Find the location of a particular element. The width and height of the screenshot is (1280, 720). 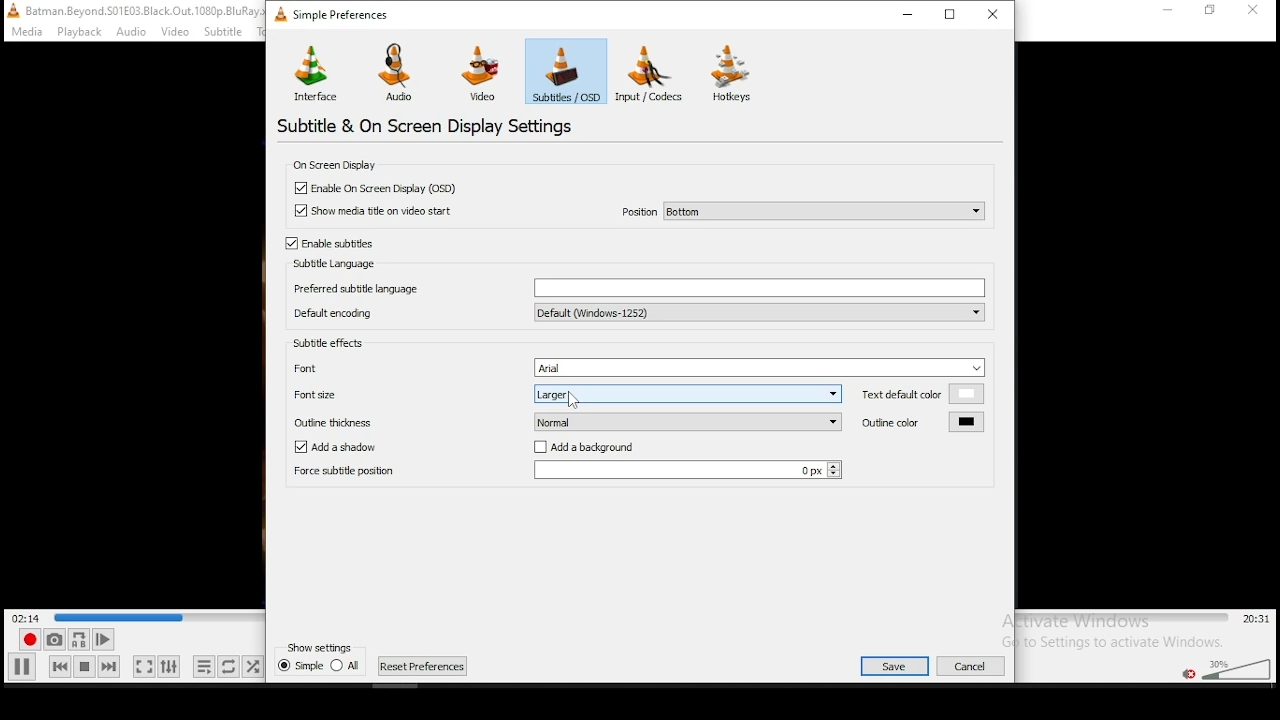

checkbox: enable subtitles is located at coordinates (329, 243).